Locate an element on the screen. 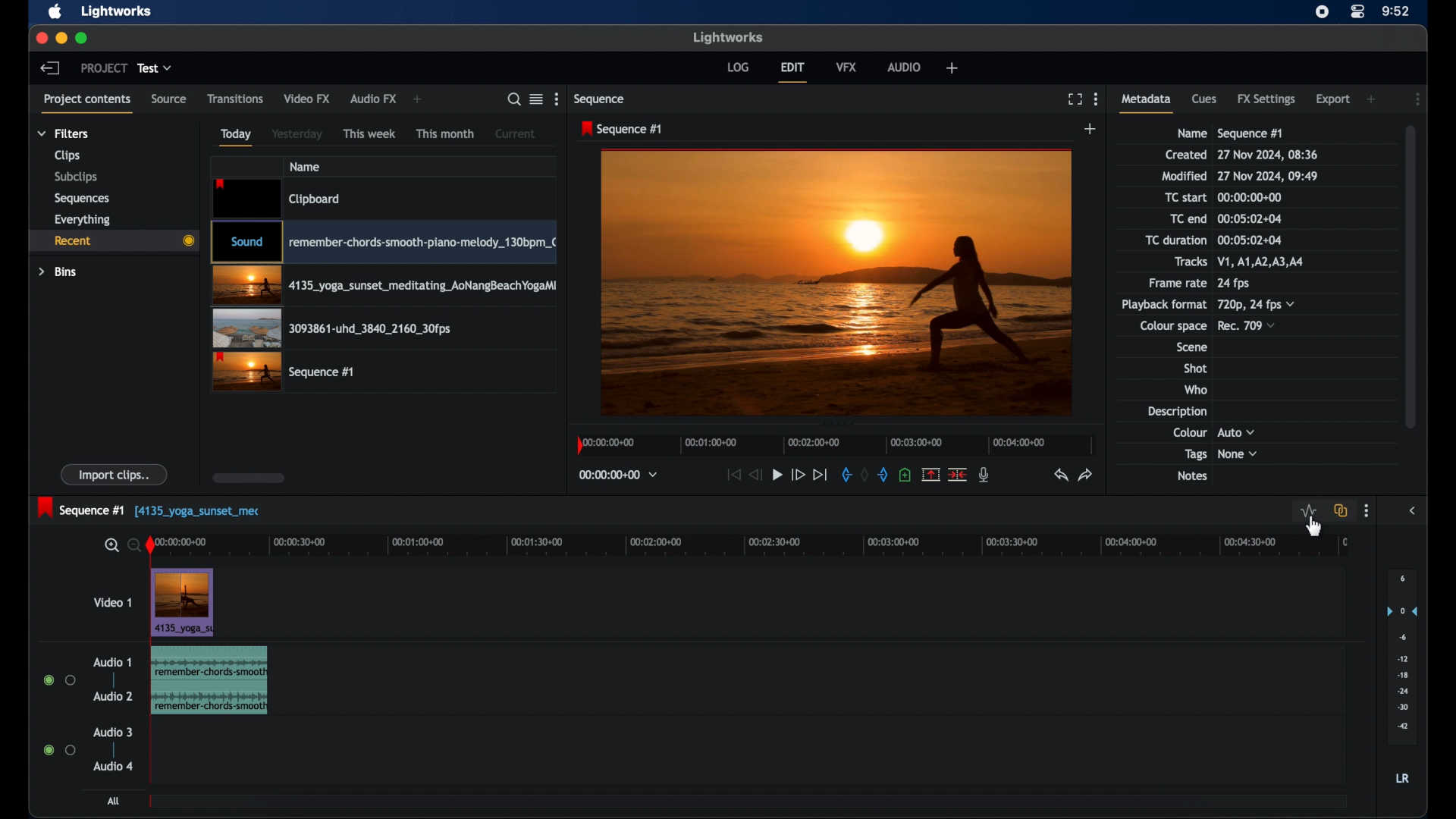 The height and width of the screenshot is (819, 1456). remove the marked section is located at coordinates (931, 473).